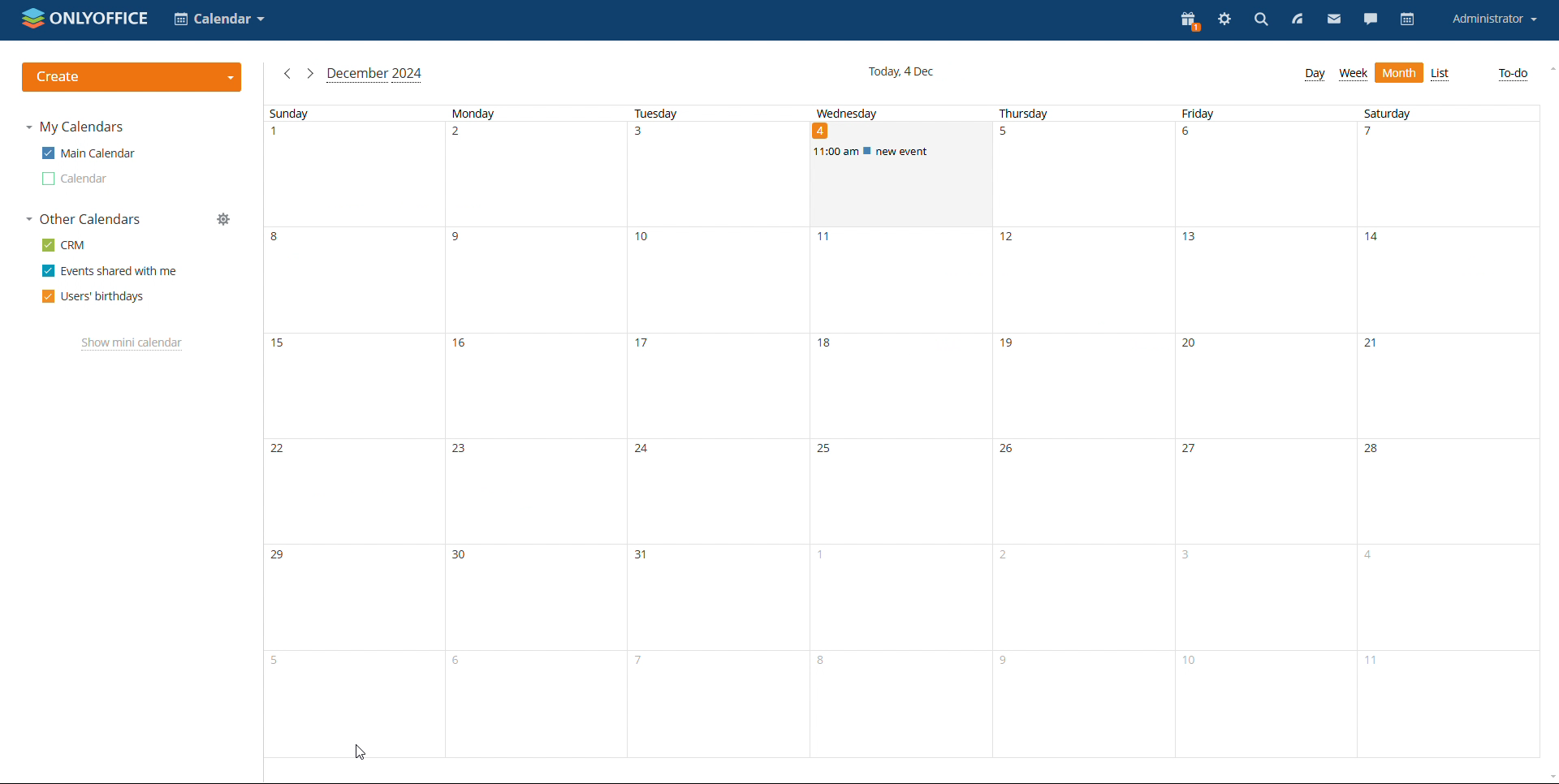 This screenshot has width=1559, height=784. What do you see at coordinates (1549, 70) in the screenshot?
I see `scroll up` at bounding box center [1549, 70].